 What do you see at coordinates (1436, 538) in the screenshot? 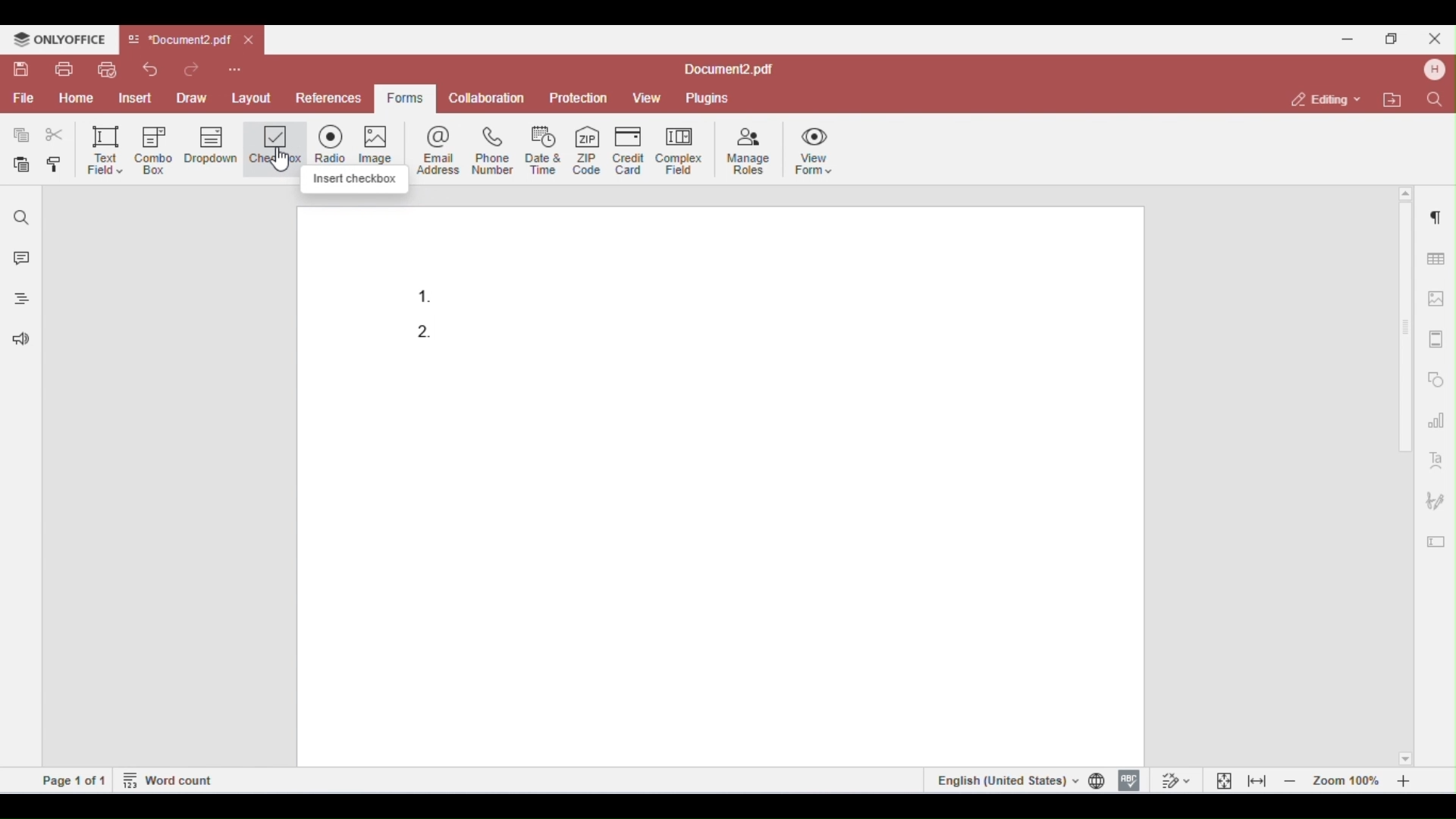
I see `form settings` at bounding box center [1436, 538].